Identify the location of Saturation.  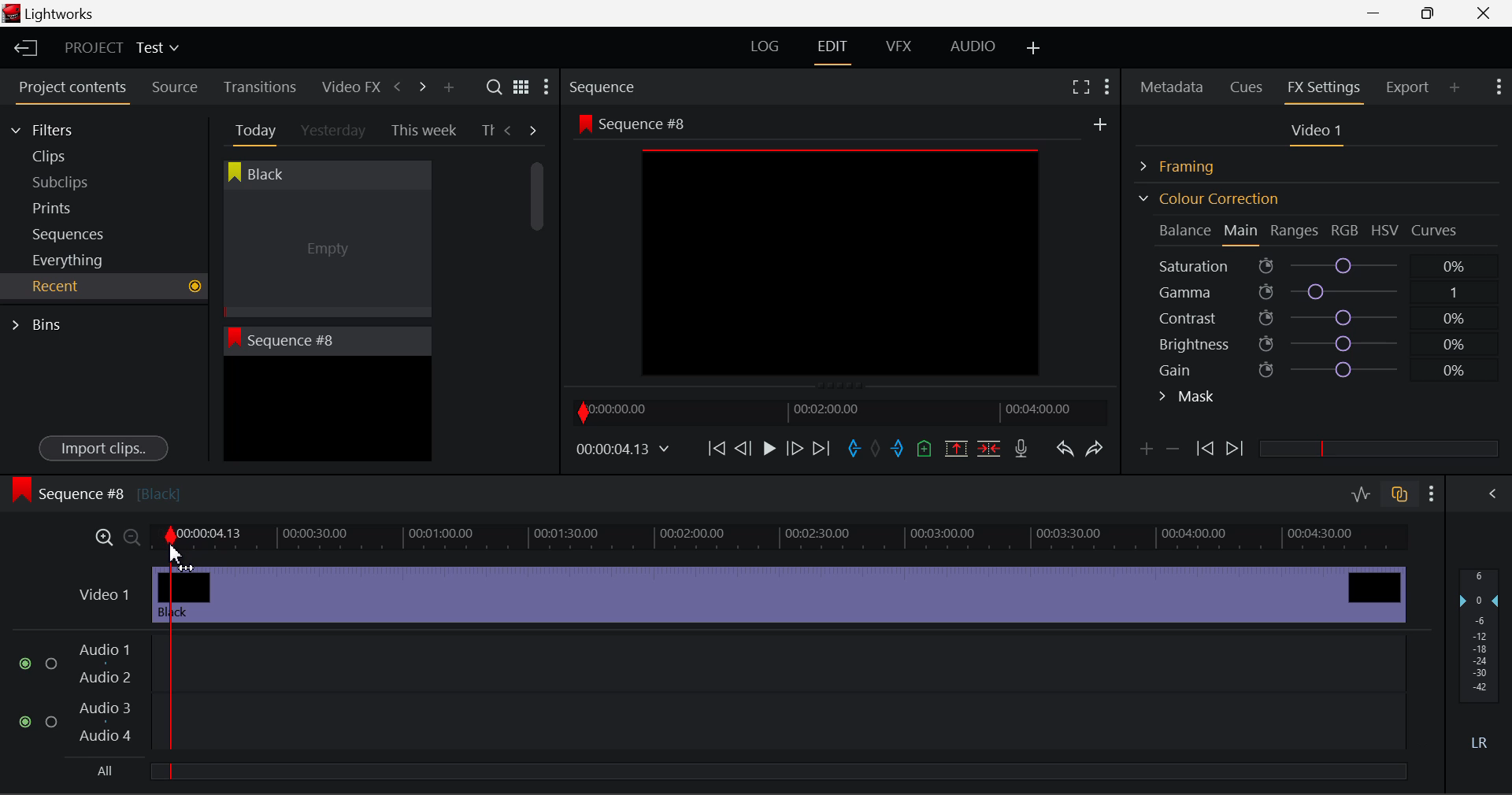
(1314, 263).